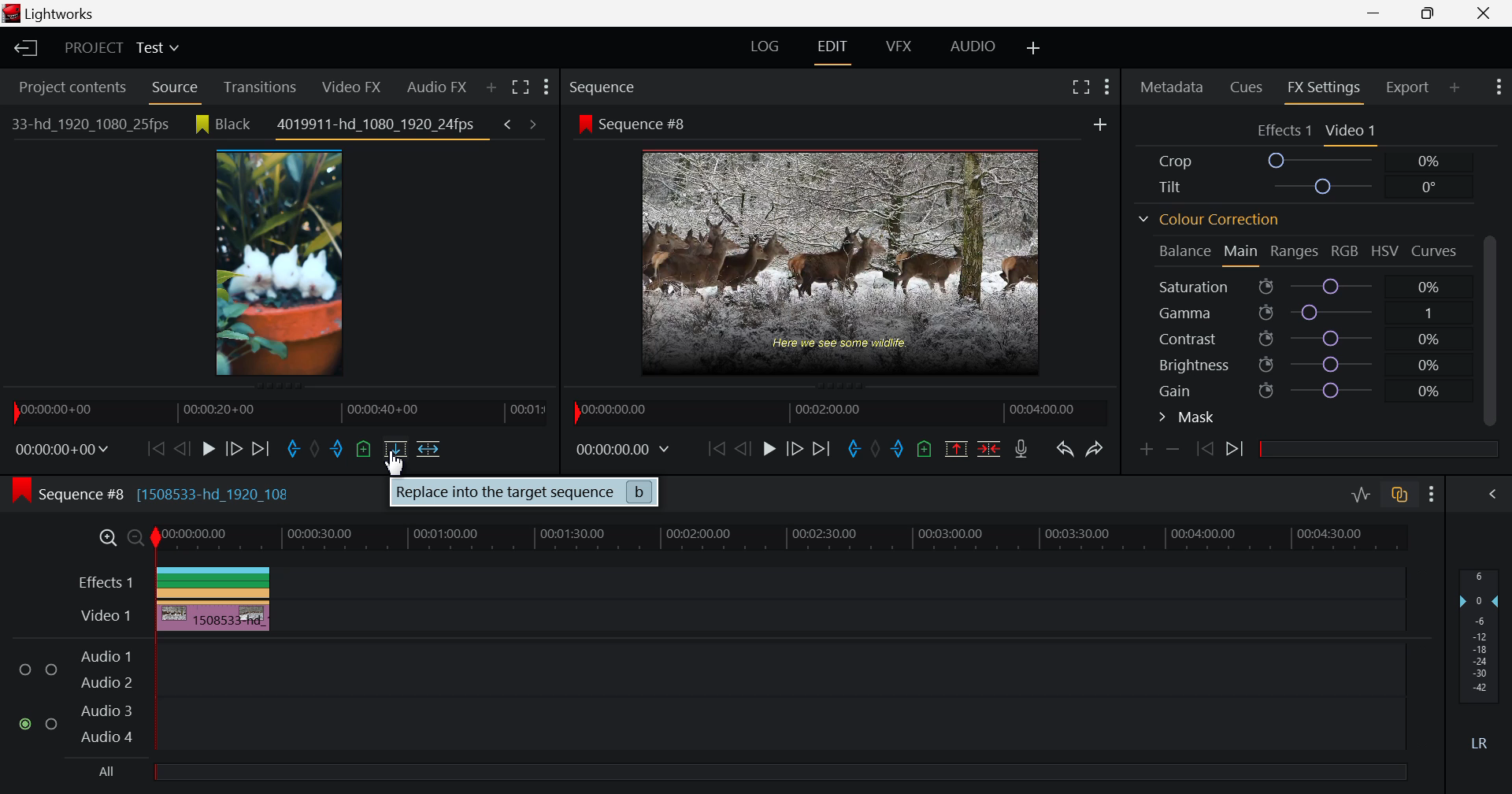 The image size is (1512, 794). Describe the element at coordinates (833, 410) in the screenshot. I see `Project Timeline Navigator` at that location.